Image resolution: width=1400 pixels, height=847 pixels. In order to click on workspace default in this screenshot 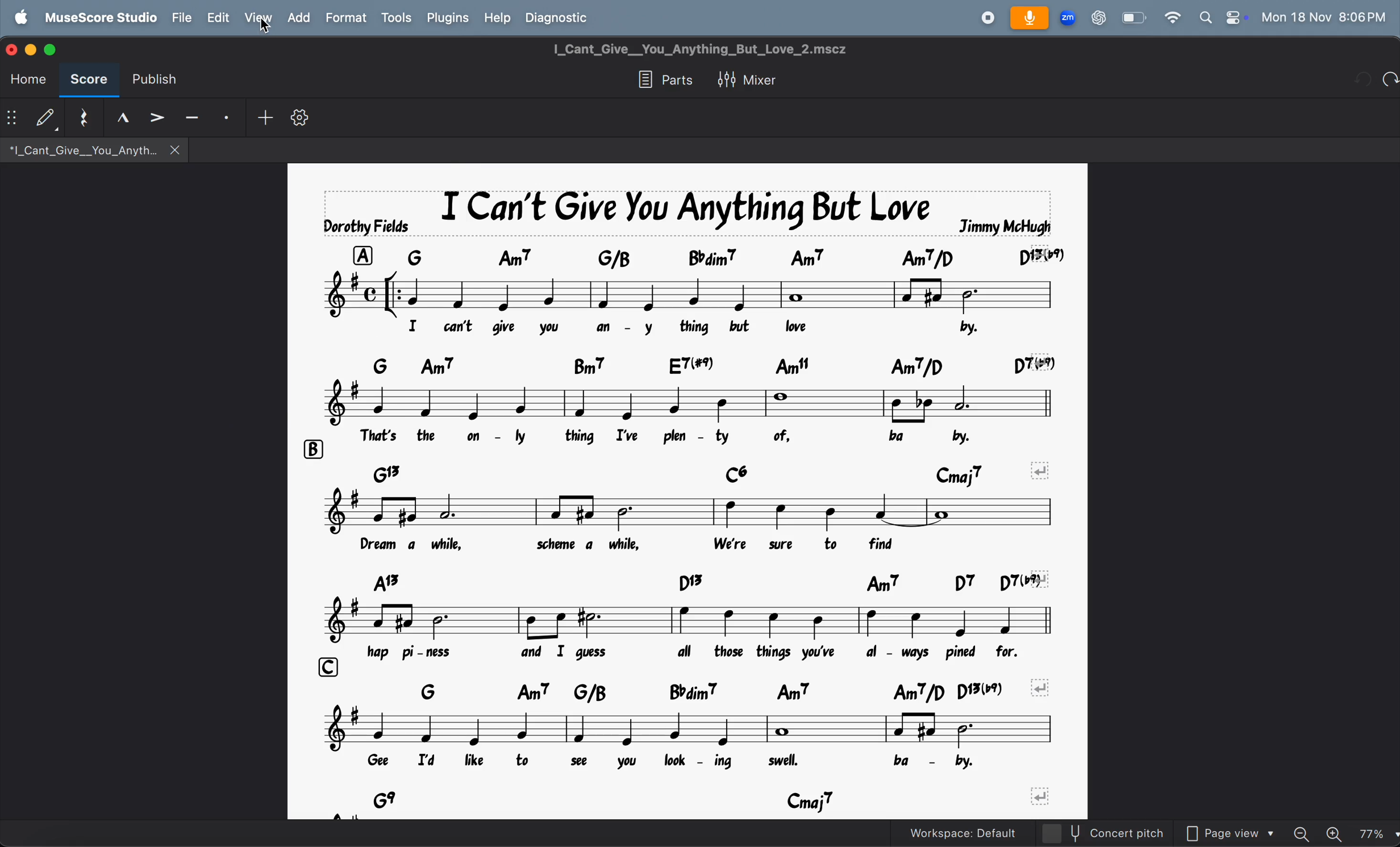, I will do `click(973, 832)`.